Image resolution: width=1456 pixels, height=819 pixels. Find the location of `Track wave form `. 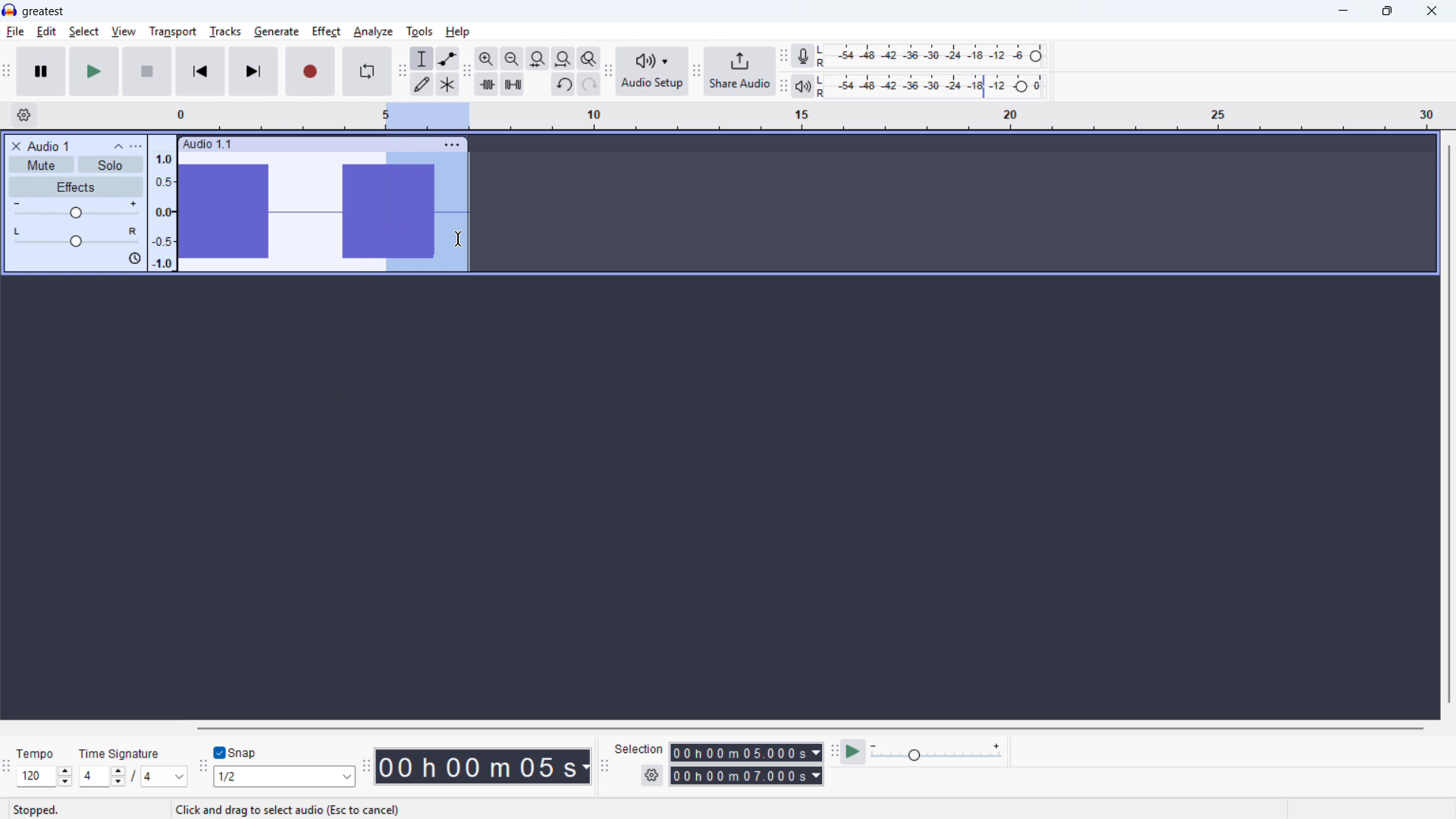

Track wave form  is located at coordinates (278, 212).